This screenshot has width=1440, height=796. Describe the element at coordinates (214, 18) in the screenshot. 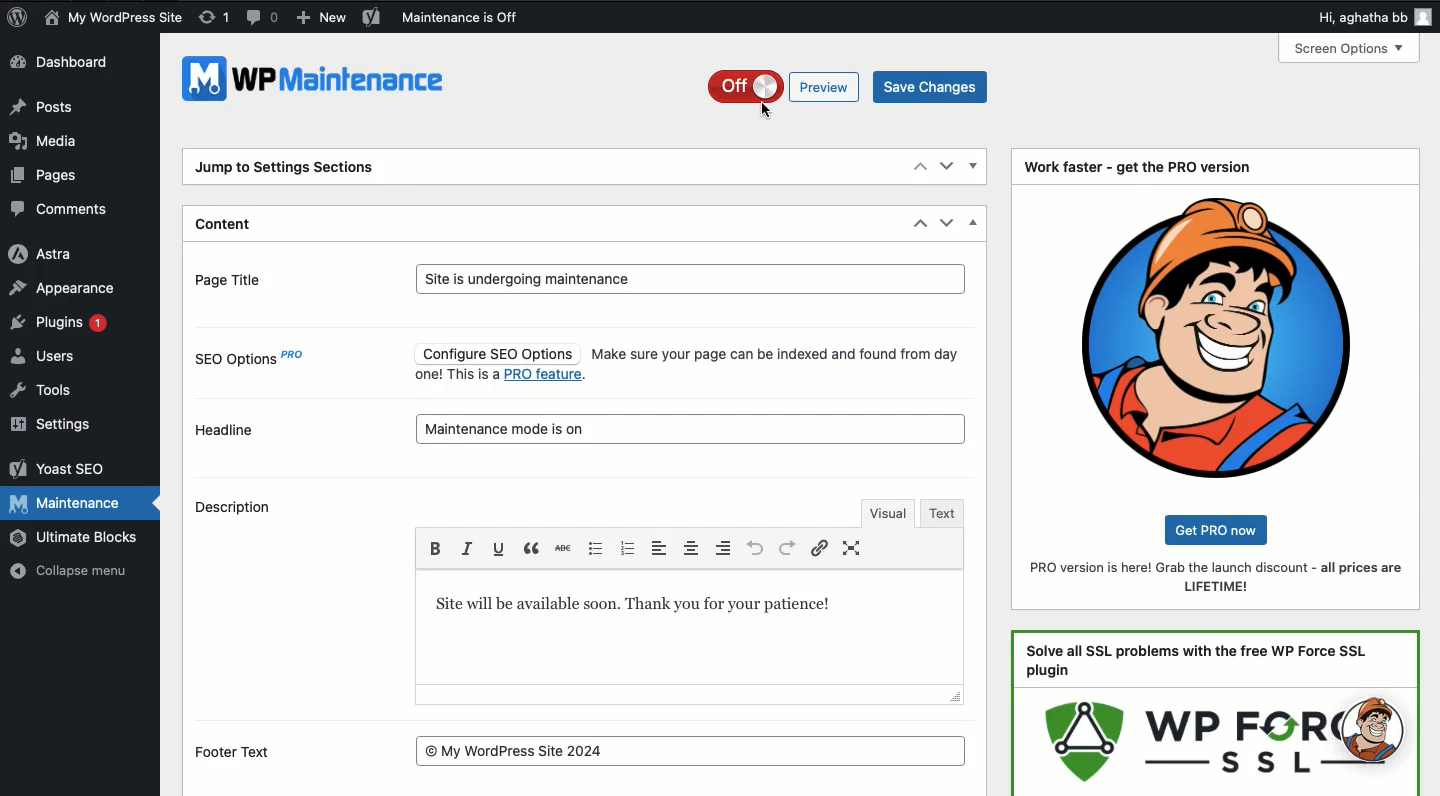

I see `Revision` at that location.